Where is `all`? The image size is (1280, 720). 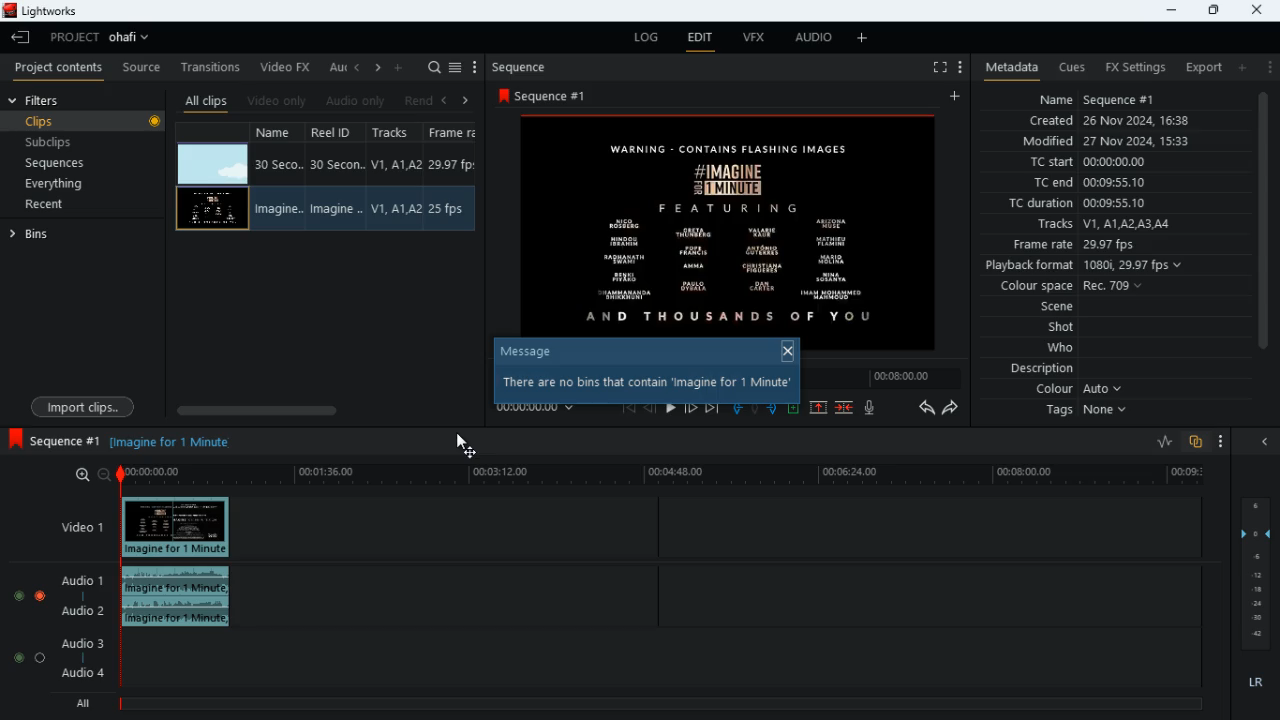
all is located at coordinates (87, 704).